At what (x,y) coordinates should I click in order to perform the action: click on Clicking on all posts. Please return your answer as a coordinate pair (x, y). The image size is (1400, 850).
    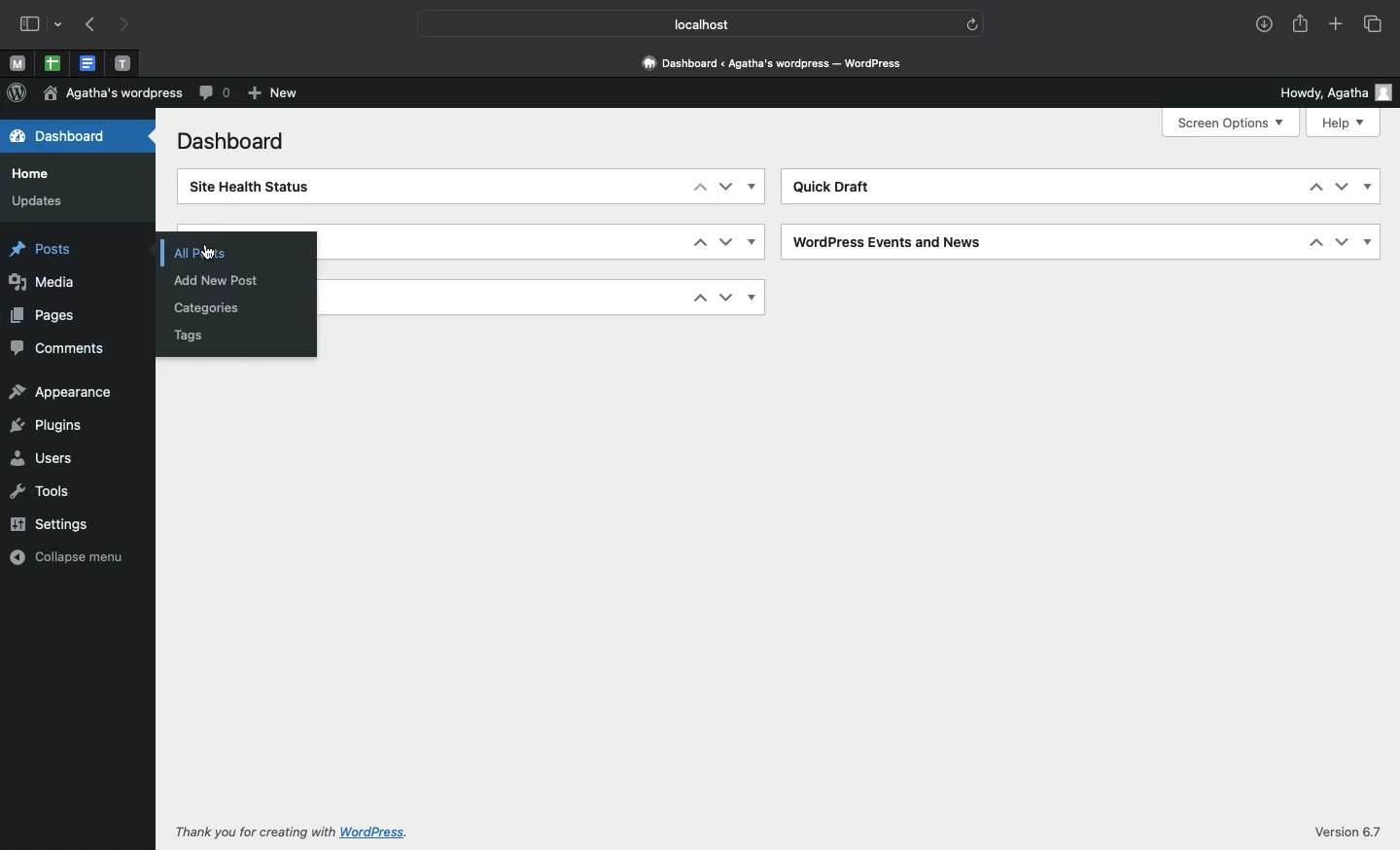
    Looking at the image, I should click on (209, 253).